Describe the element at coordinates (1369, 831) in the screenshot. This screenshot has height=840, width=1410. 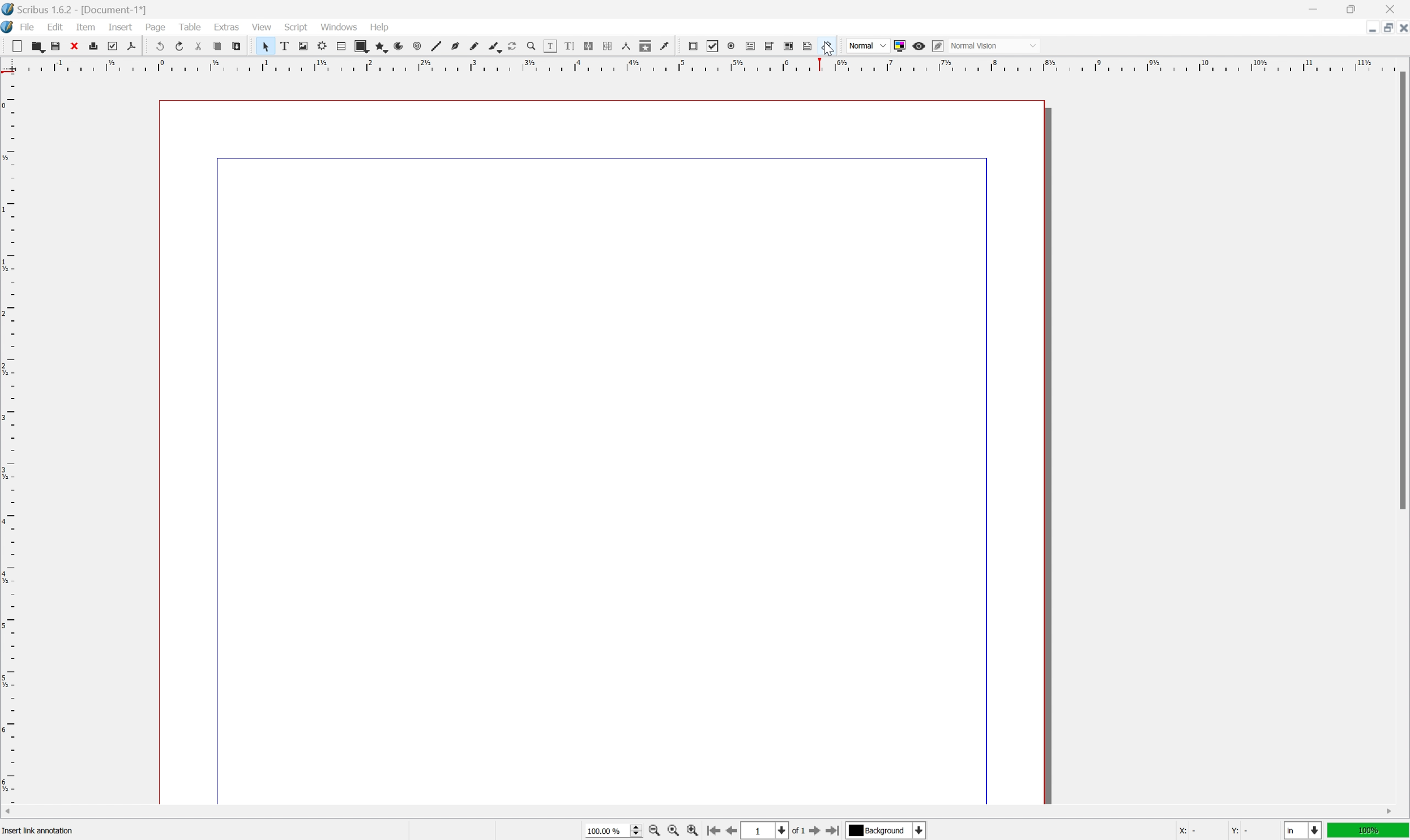
I see `100%` at that location.